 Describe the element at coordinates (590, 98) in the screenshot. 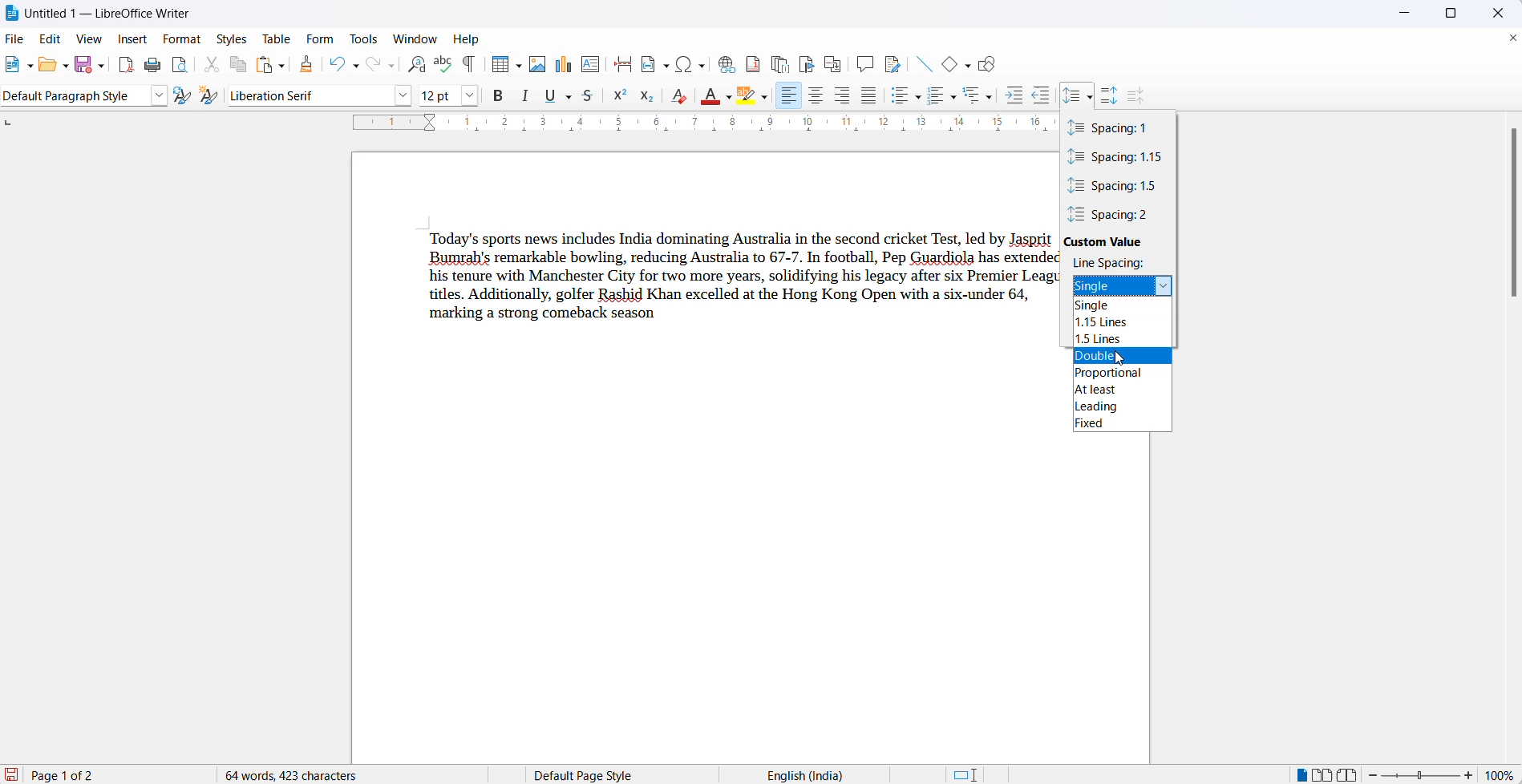

I see `strike through` at that location.